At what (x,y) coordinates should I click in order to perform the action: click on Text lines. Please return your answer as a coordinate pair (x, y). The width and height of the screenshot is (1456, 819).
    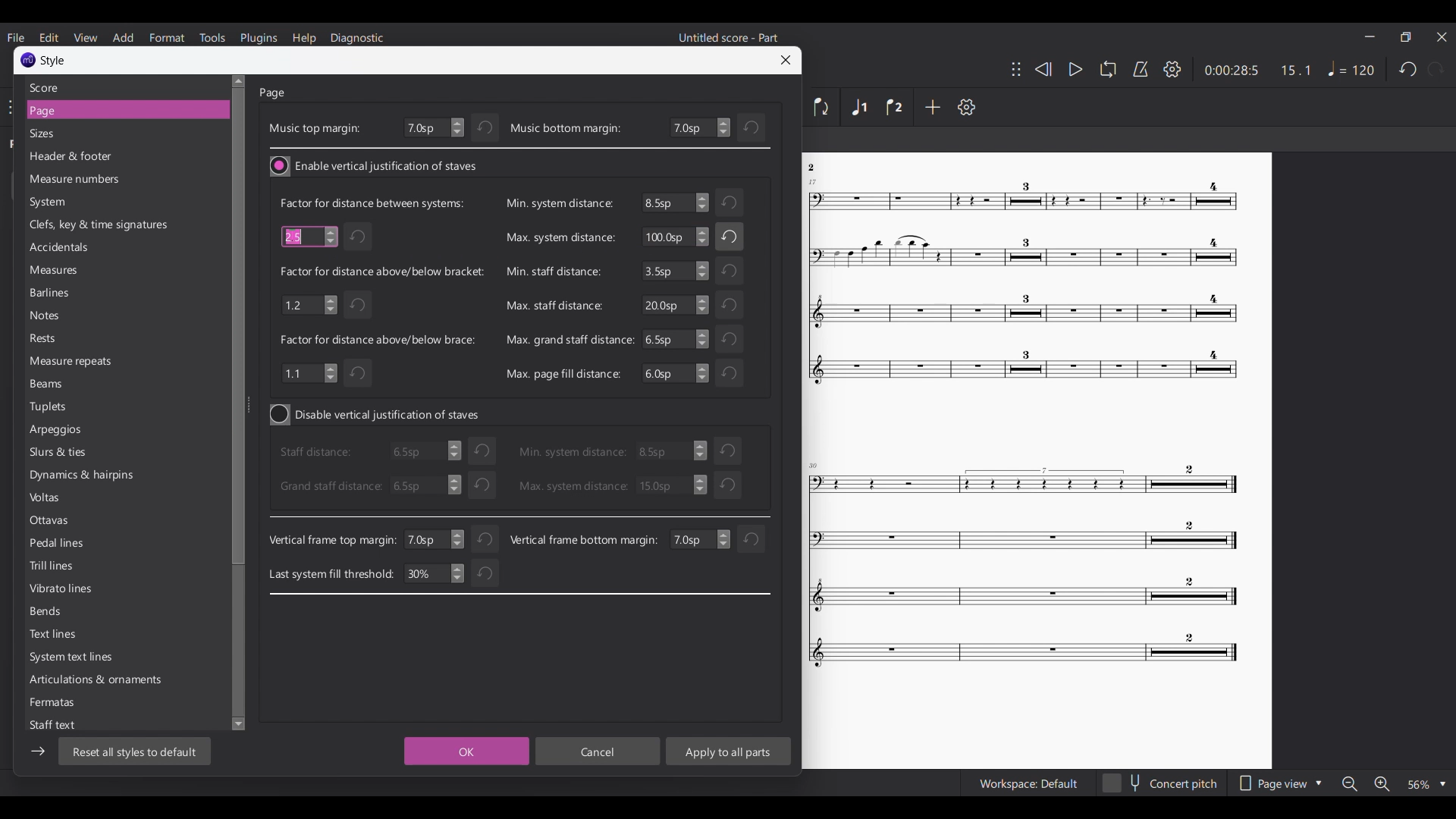
    Looking at the image, I should click on (79, 635).